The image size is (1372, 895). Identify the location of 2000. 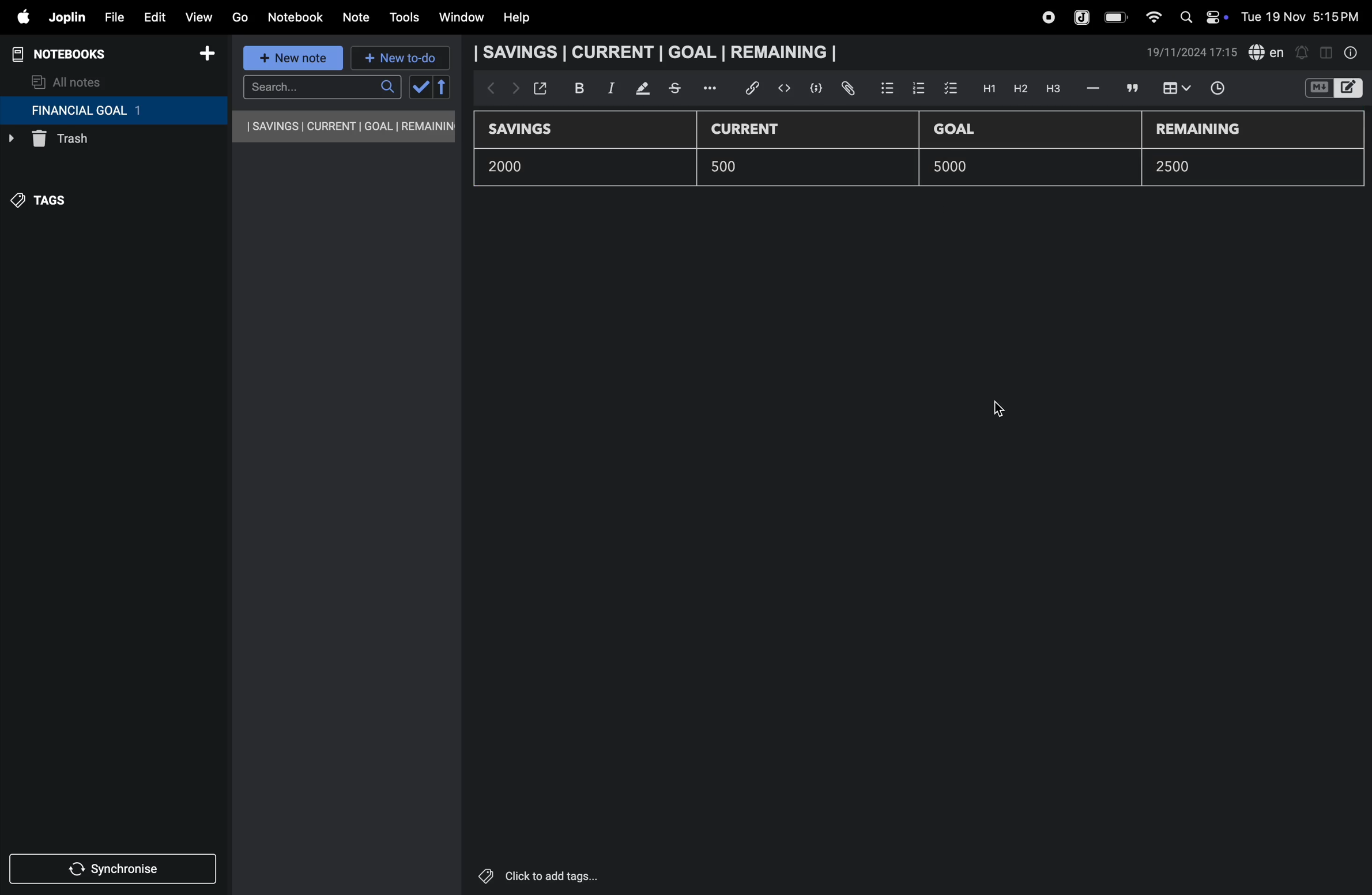
(514, 166).